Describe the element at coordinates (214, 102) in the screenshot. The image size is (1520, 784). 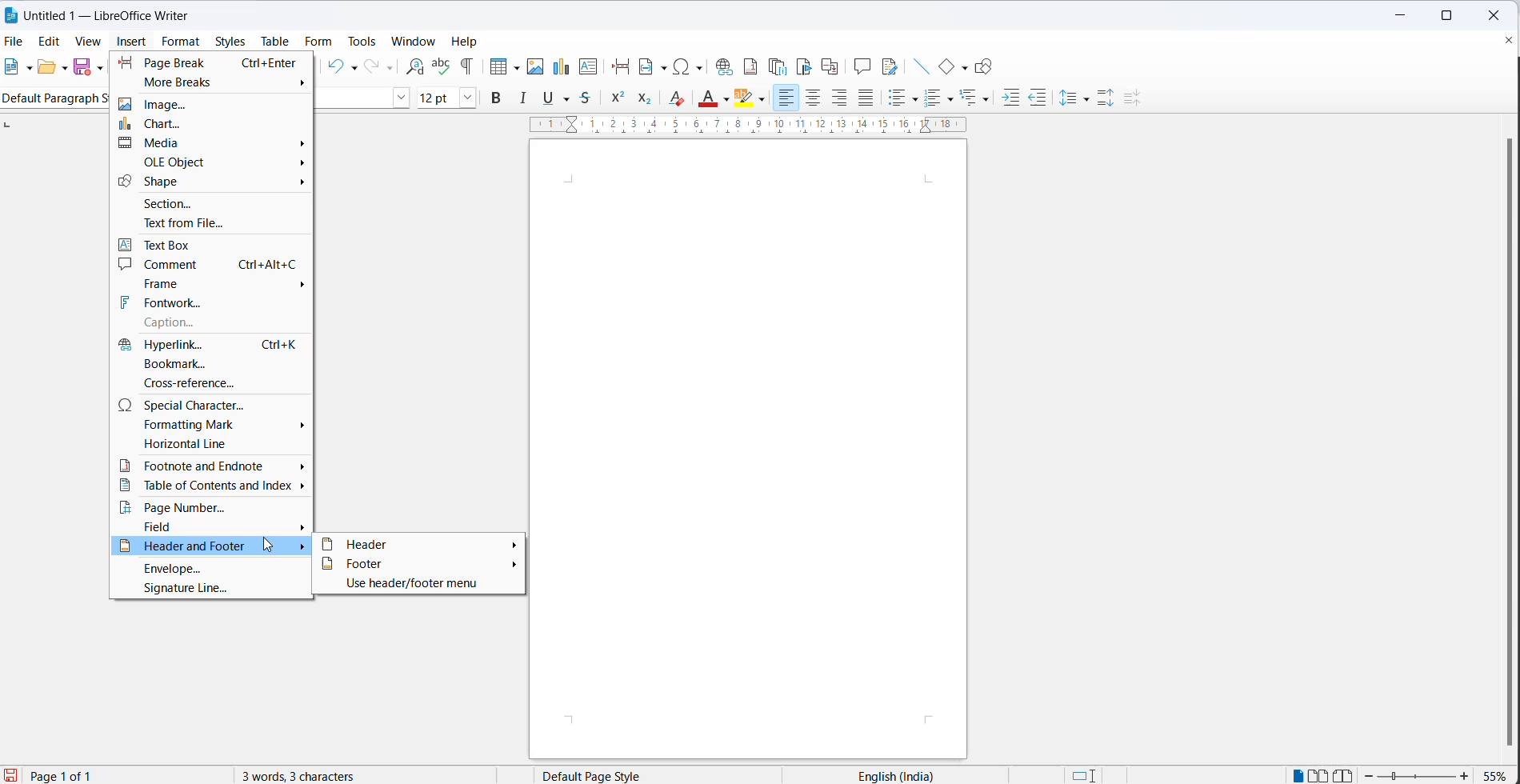
I see `image` at that location.